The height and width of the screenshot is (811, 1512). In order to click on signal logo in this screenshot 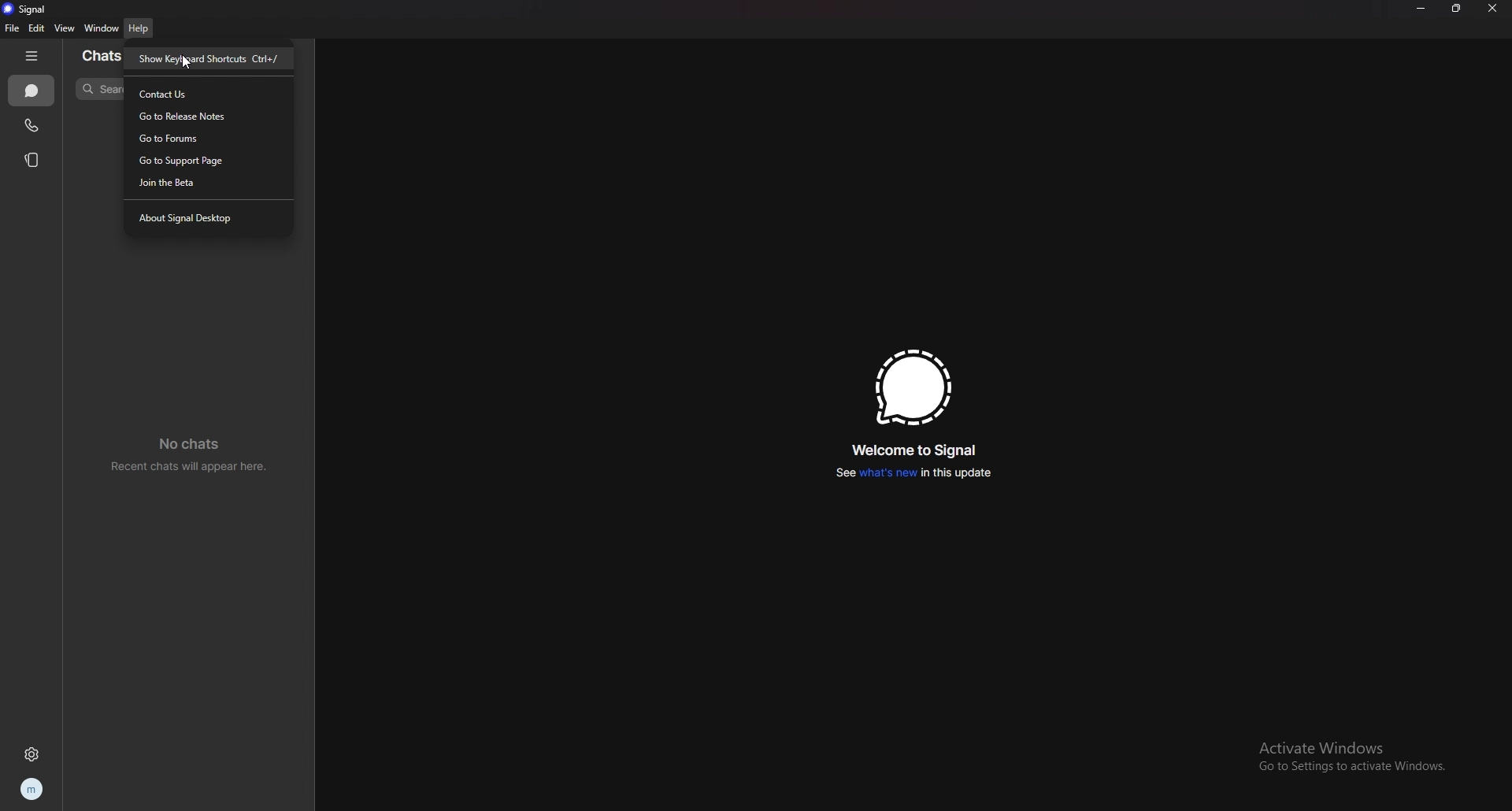, I will do `click(910, 387)`.